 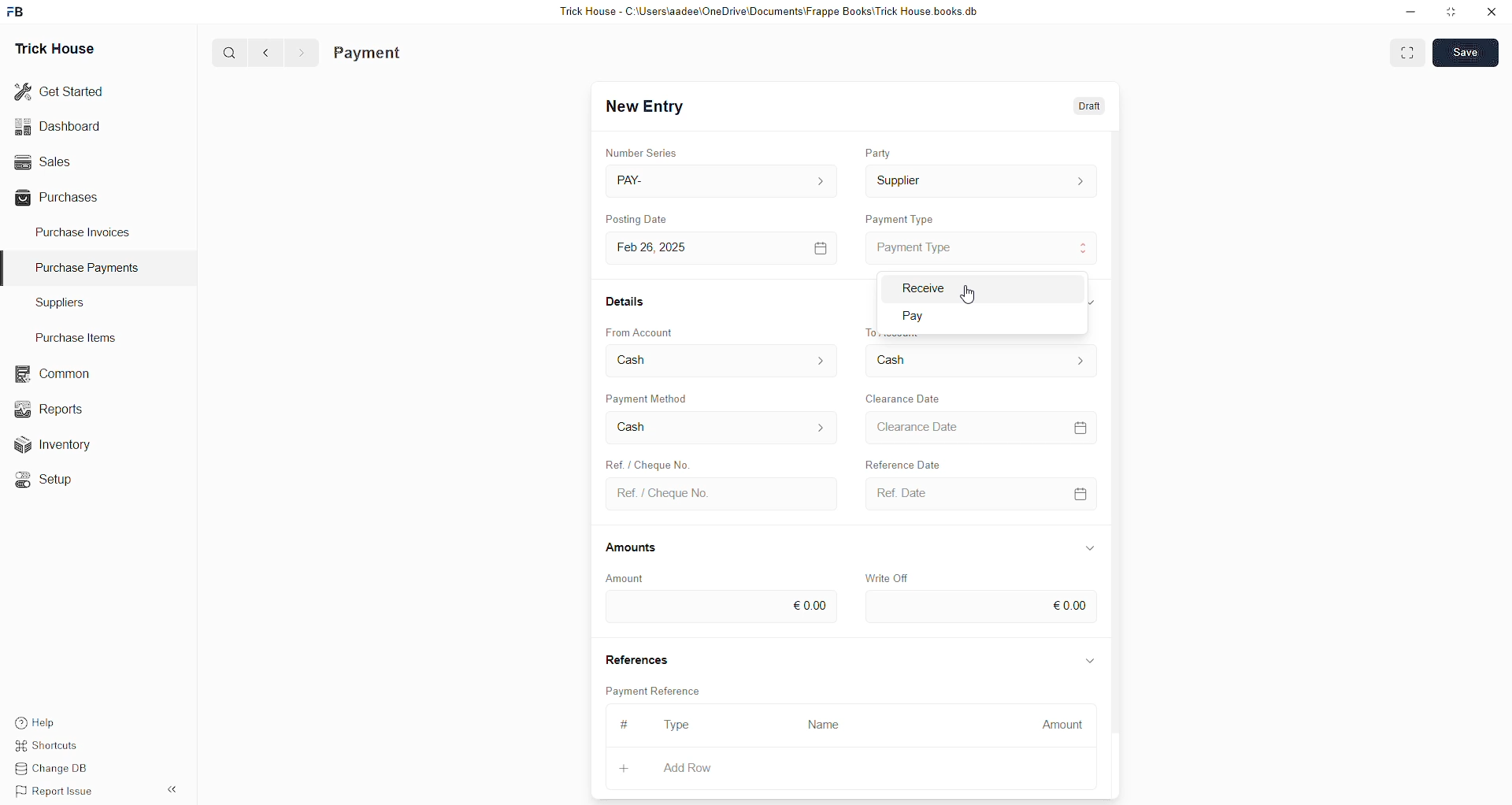 What do you see at coordinates (50, 373) in the screenshot?
I see `Common` at bounding box center [50, 373].